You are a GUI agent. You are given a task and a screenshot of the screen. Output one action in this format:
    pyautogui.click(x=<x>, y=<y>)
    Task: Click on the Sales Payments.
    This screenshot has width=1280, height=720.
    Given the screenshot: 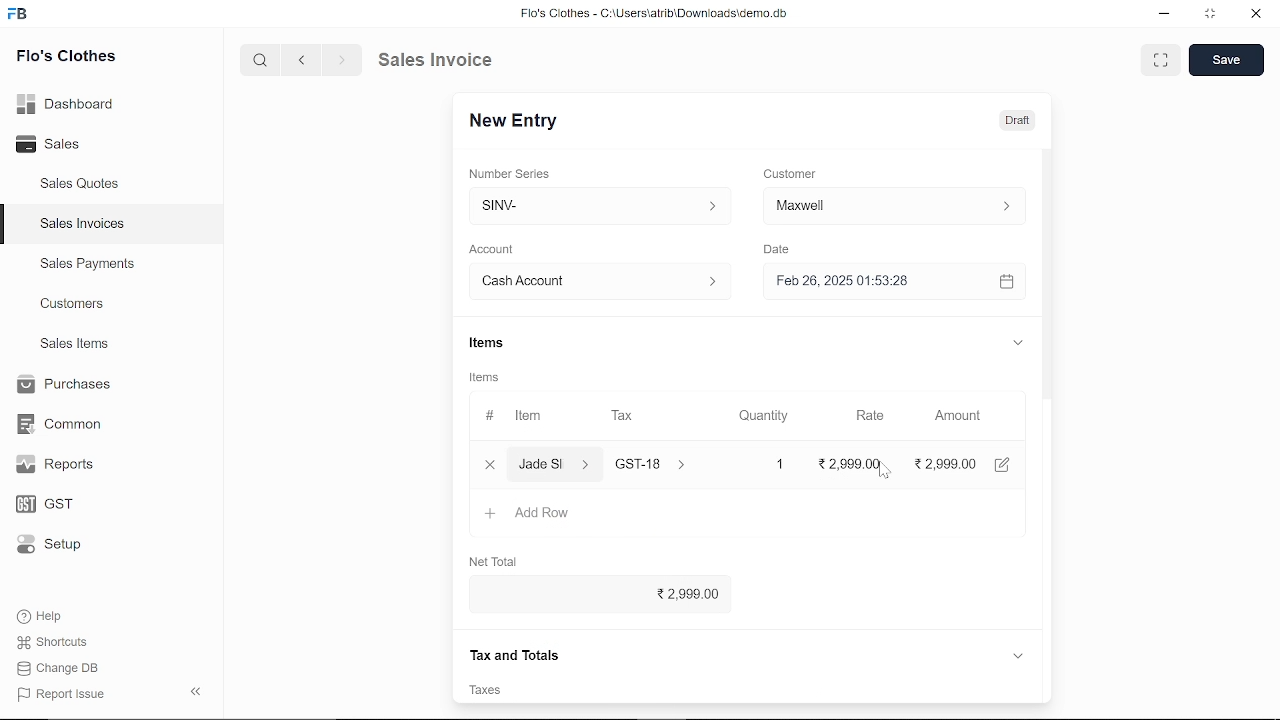 What is the action you would take?
    pyautogui.click(x=86, y=264)
    